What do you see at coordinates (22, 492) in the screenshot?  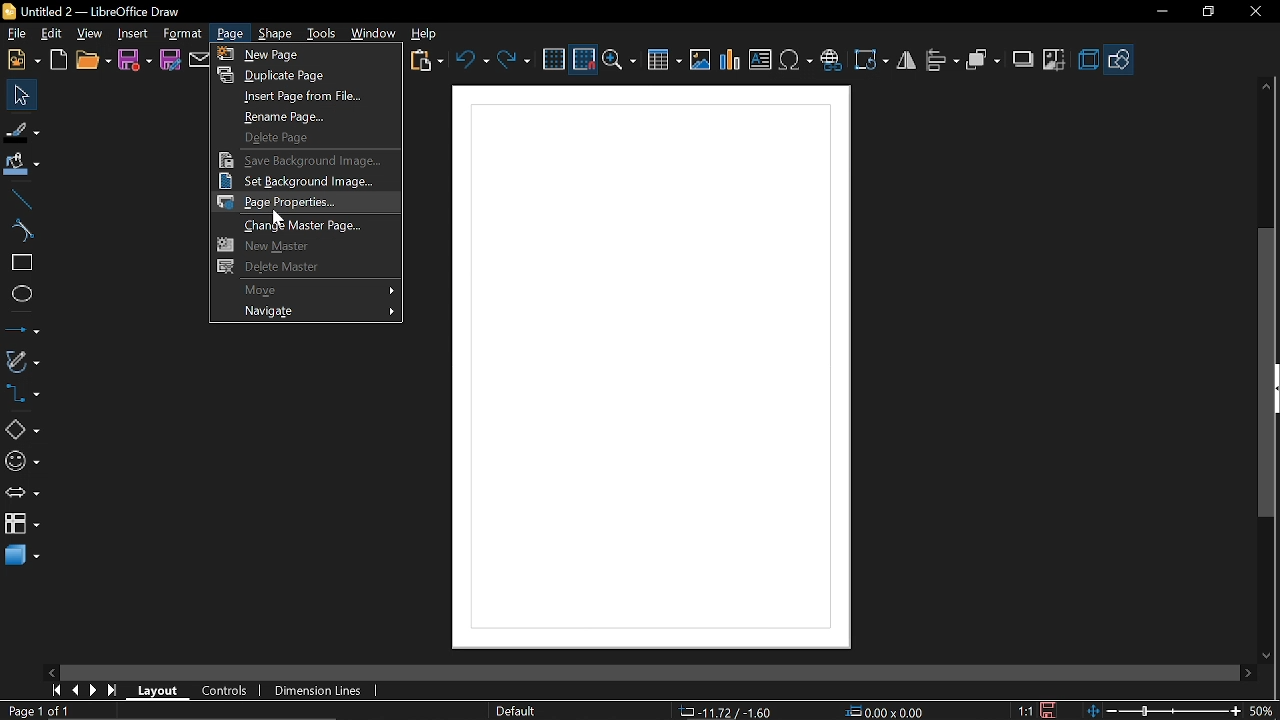 I see `Arrows` at bounding box center [22, 492].